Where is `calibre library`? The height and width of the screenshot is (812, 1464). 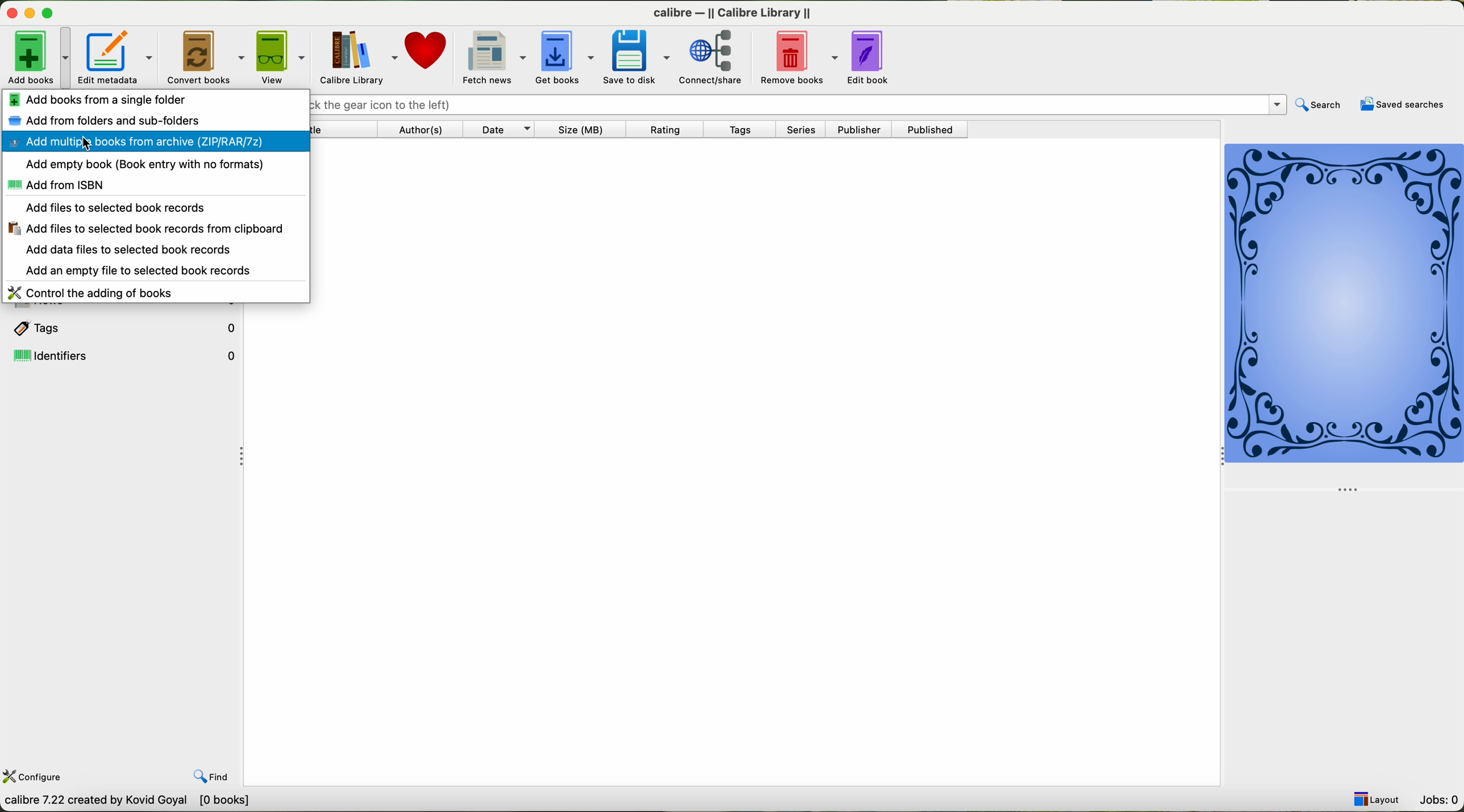 calibre library is located at coordinates (357, 57).